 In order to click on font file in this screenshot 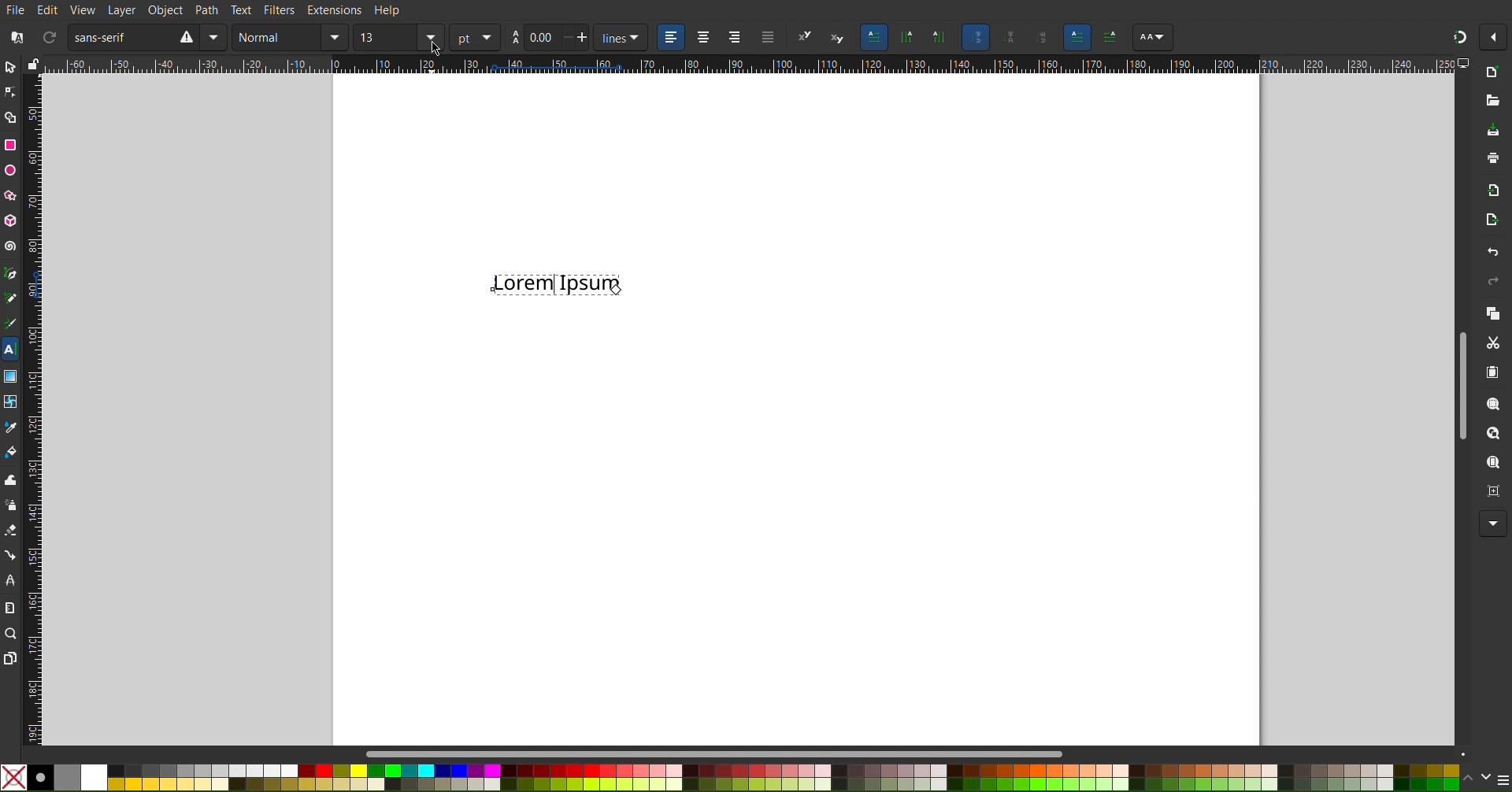, I will do `click(20, 35)`.